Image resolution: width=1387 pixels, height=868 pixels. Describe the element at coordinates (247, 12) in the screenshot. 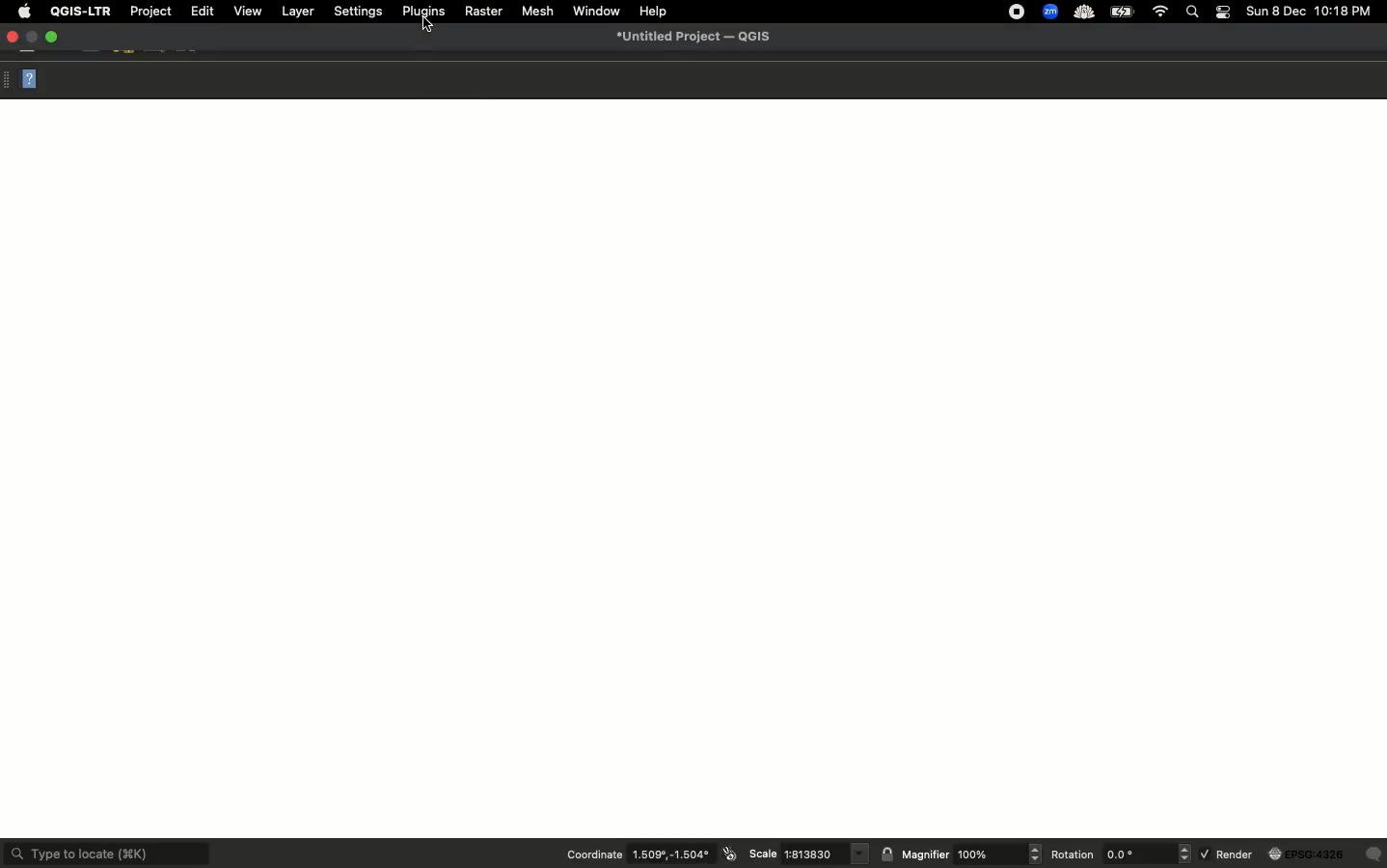

I see `View` at that location.